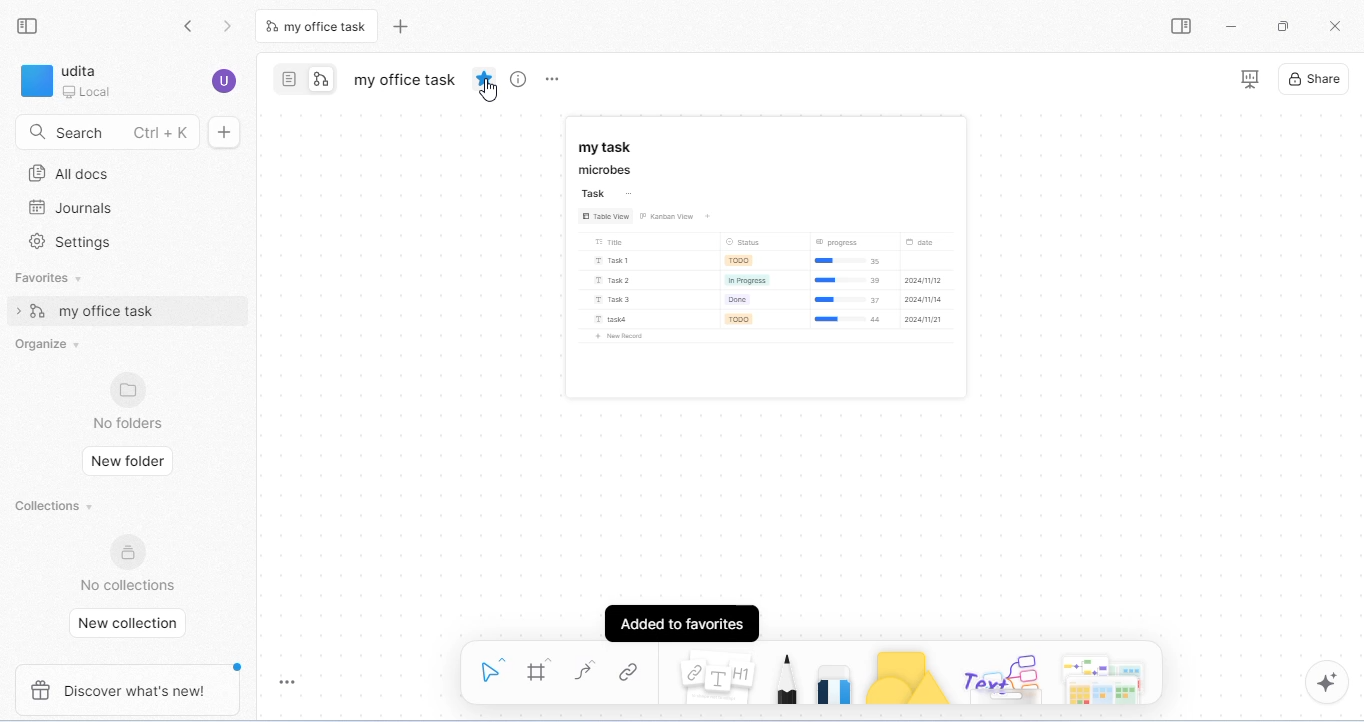 The image size is (1364, 722). What do you see at coordinates (491, 92) in the screenshot?
I see `cursor movement` at bounding box center [491, 92].